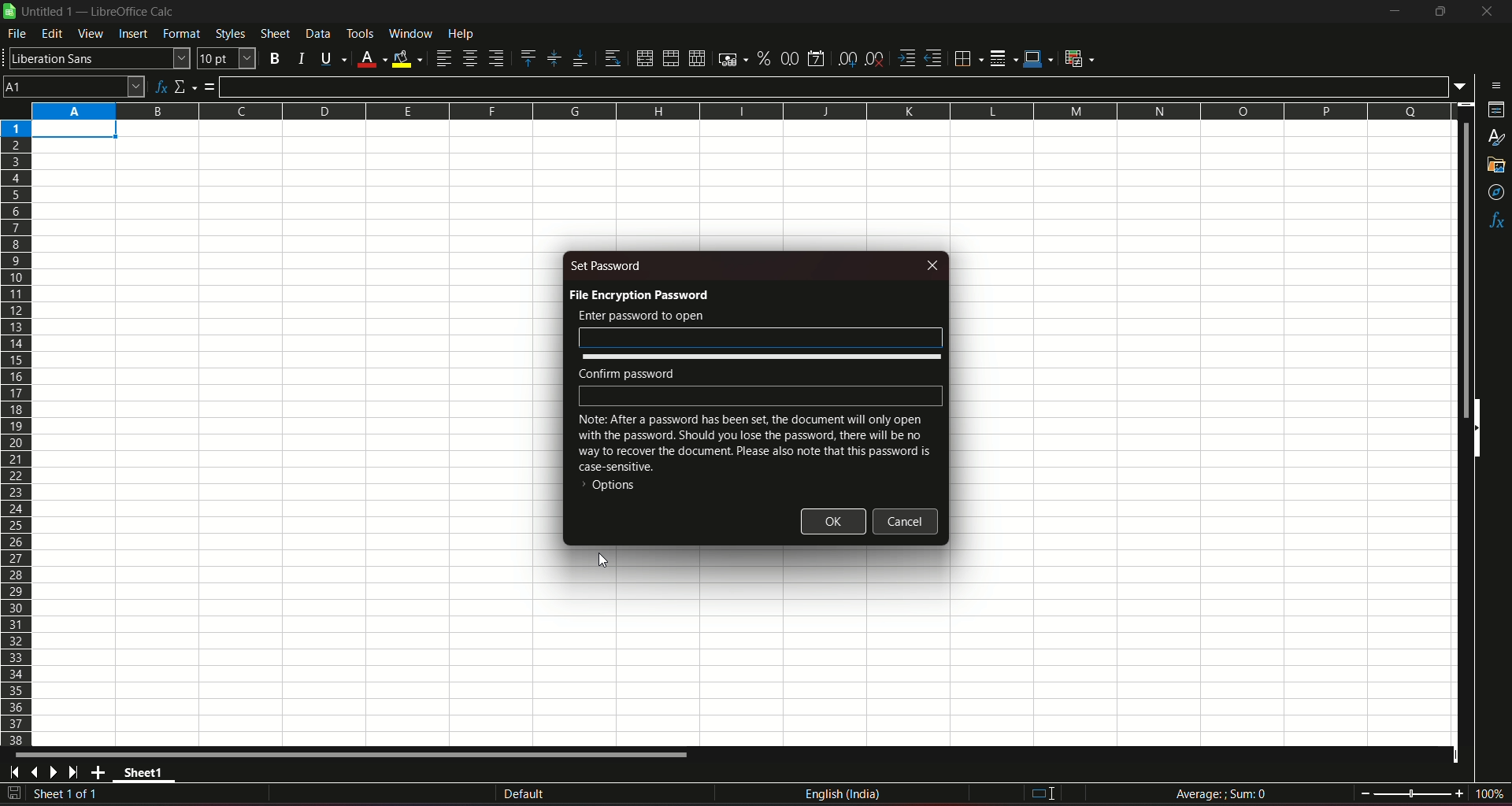  I want to click on select function, so click(186, 85).